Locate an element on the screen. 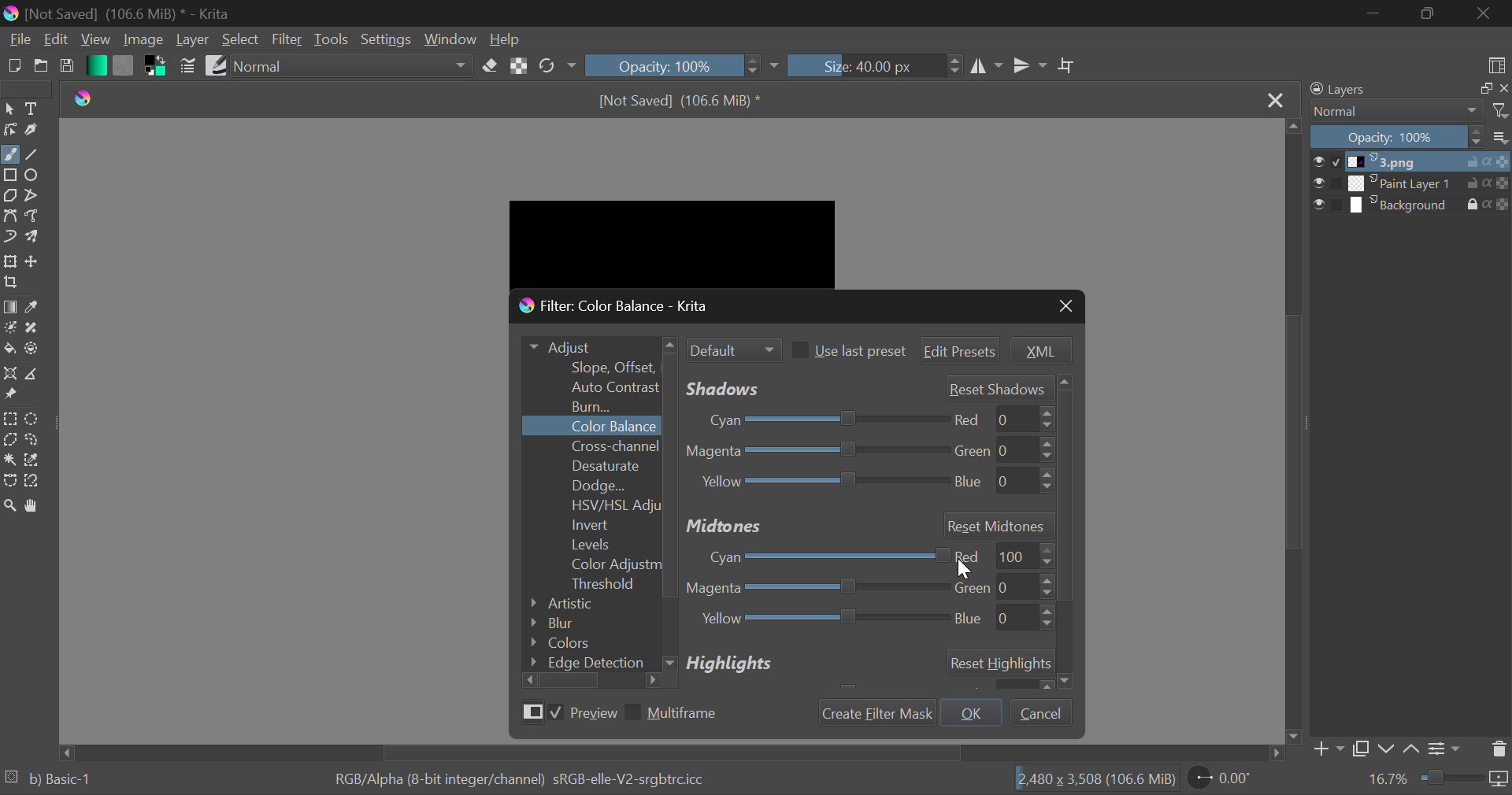 The width and height of the screenshot is (1512, 795). 2450 x 3,508 (106.6 MiB) is located at coordinates (1089, 782).